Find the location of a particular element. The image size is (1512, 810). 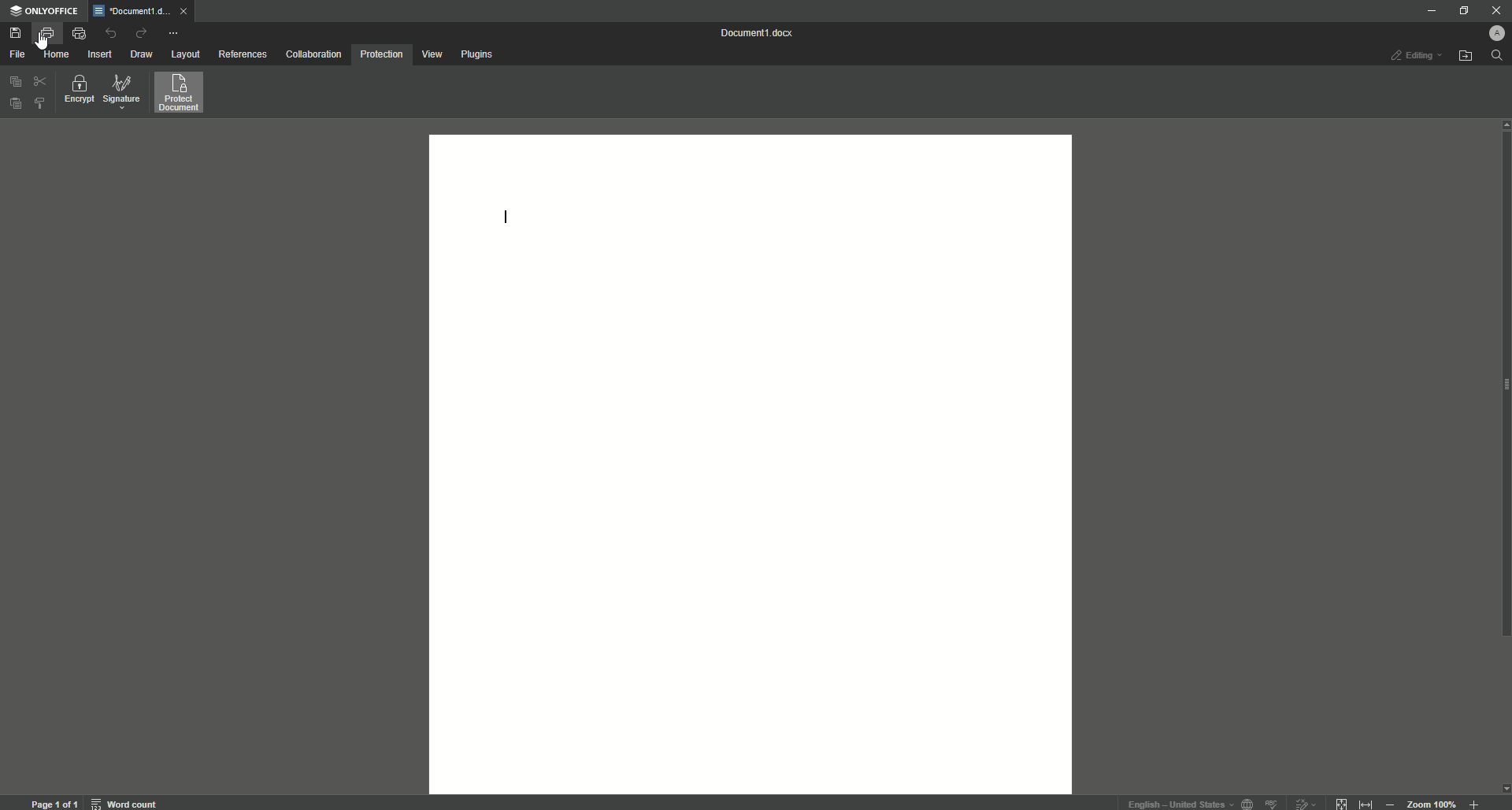

Signature is located at coordinates (124, 93).